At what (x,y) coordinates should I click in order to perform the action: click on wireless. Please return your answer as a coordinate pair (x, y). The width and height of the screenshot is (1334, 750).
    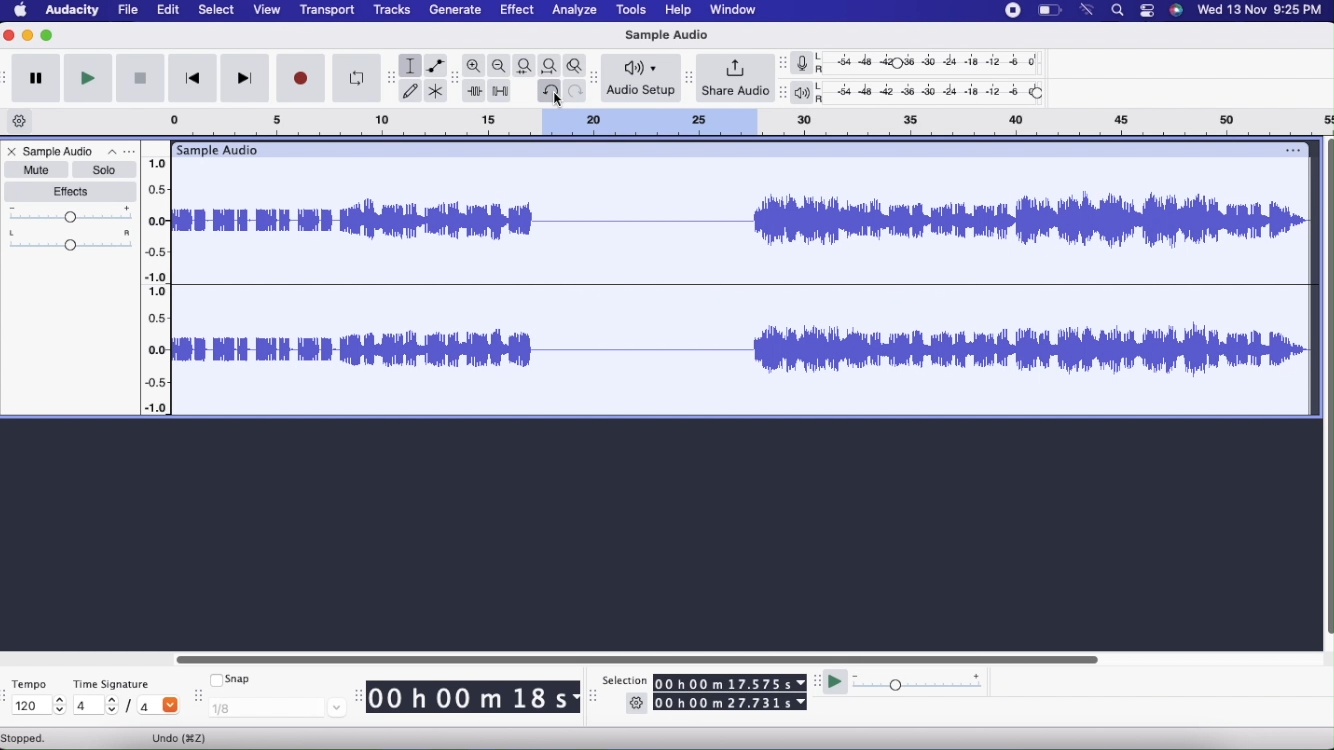
    Looking at the image, I should click on (1089, 9).